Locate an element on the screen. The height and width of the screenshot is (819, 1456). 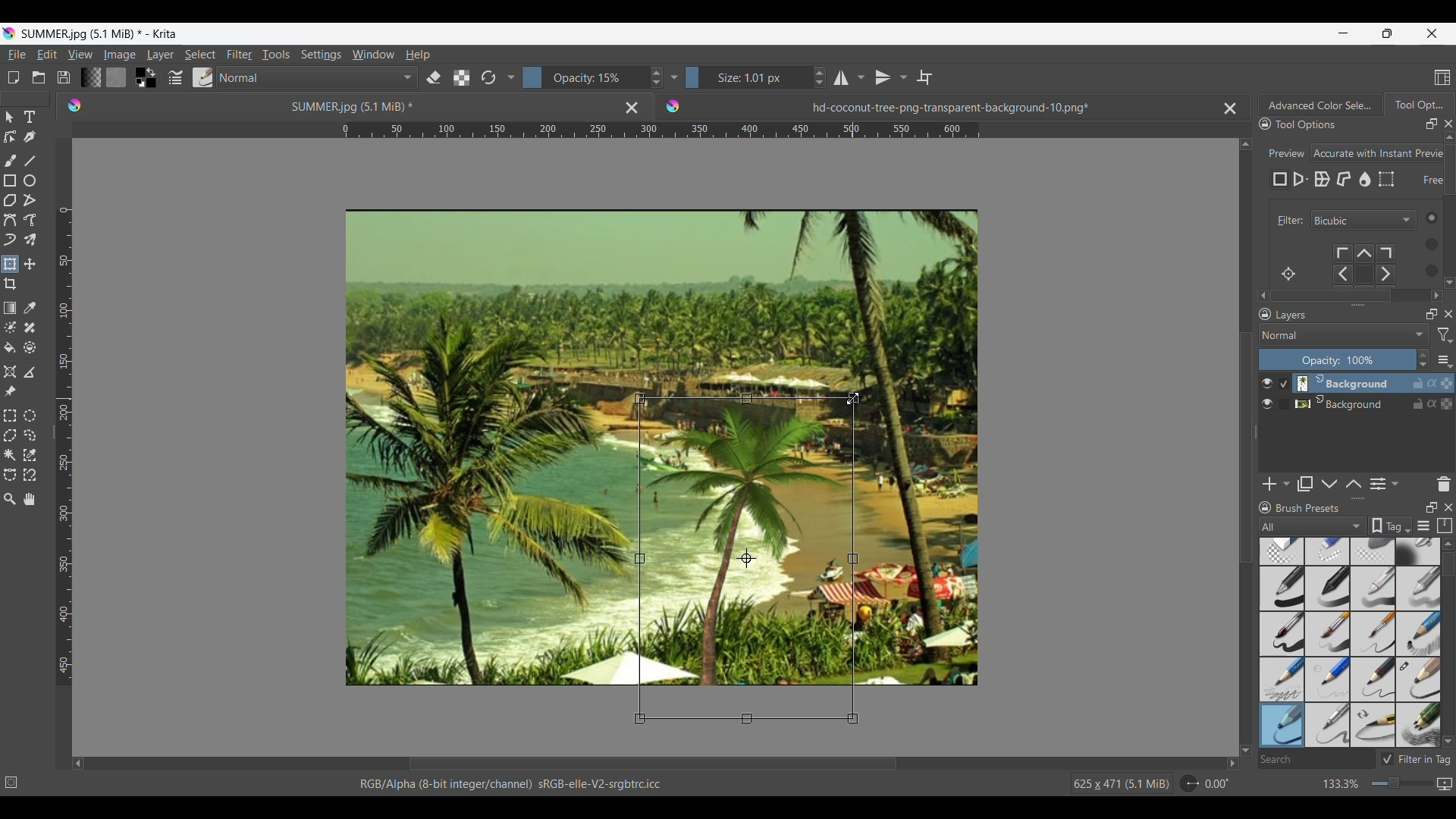
Add new layer is located at coordinates (1270, 484).